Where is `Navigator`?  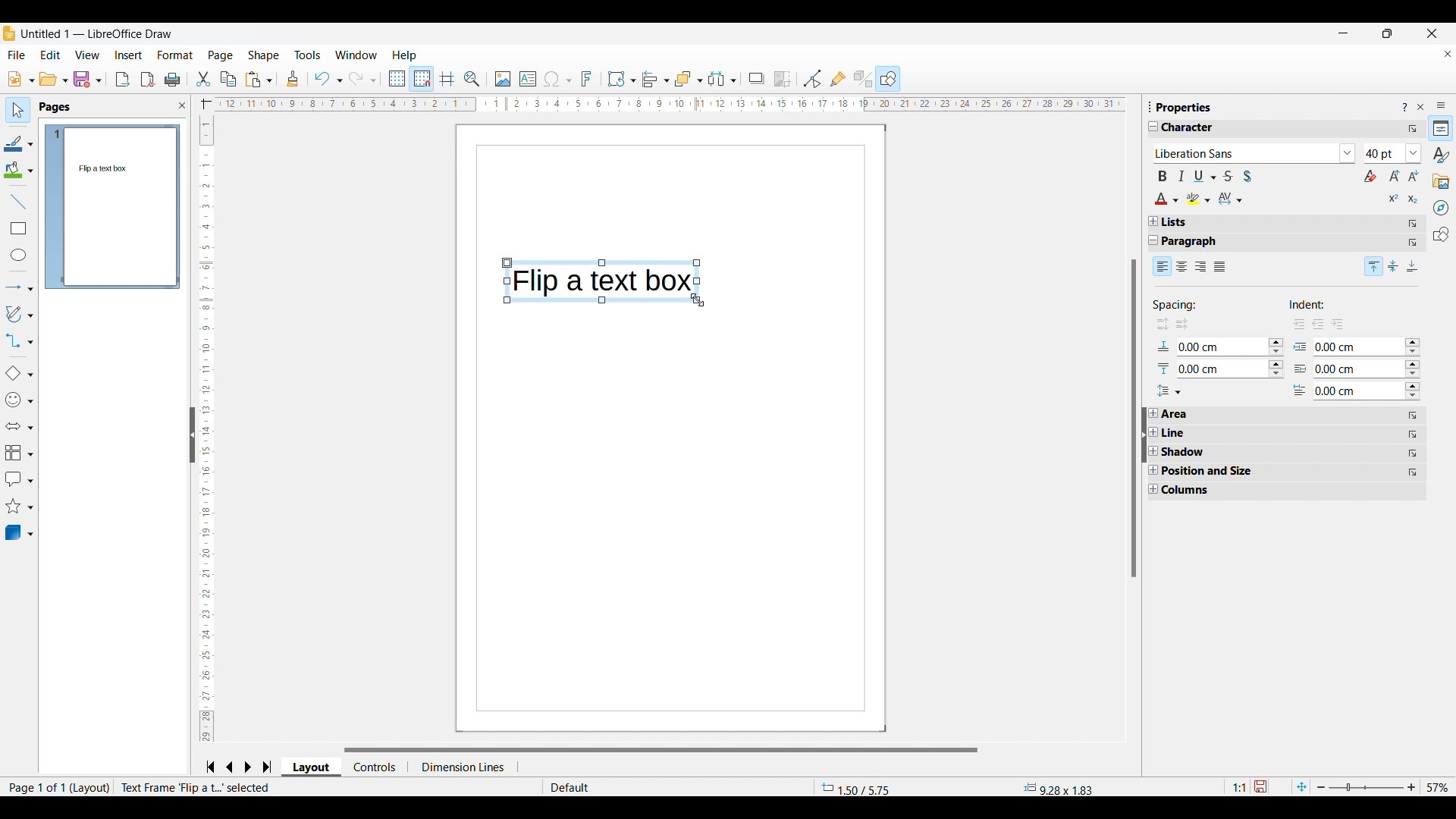
Navigator is located at coordinates (1441, 208).